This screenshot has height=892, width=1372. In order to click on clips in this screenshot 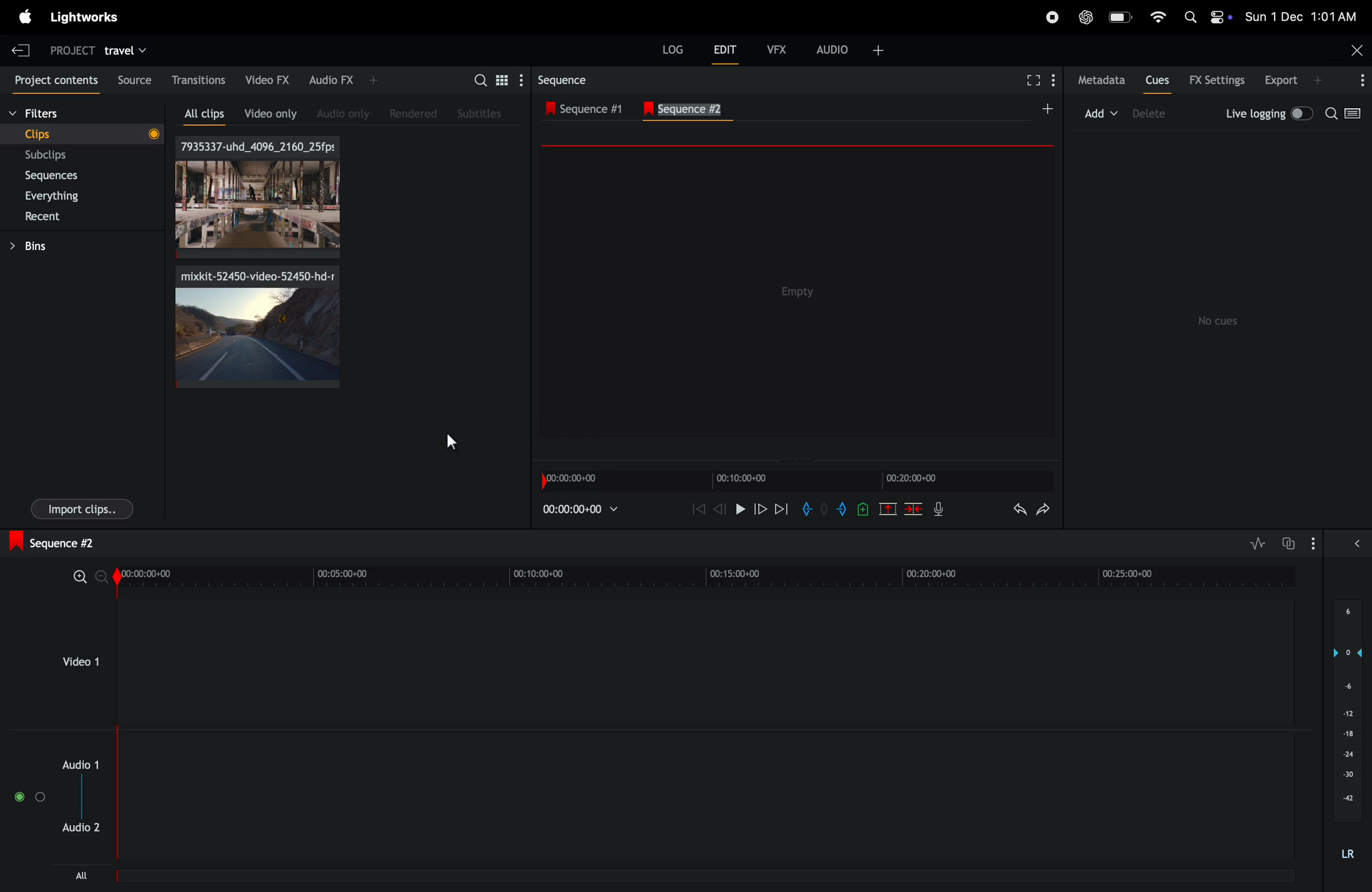, I will do `click(256, 197)`.